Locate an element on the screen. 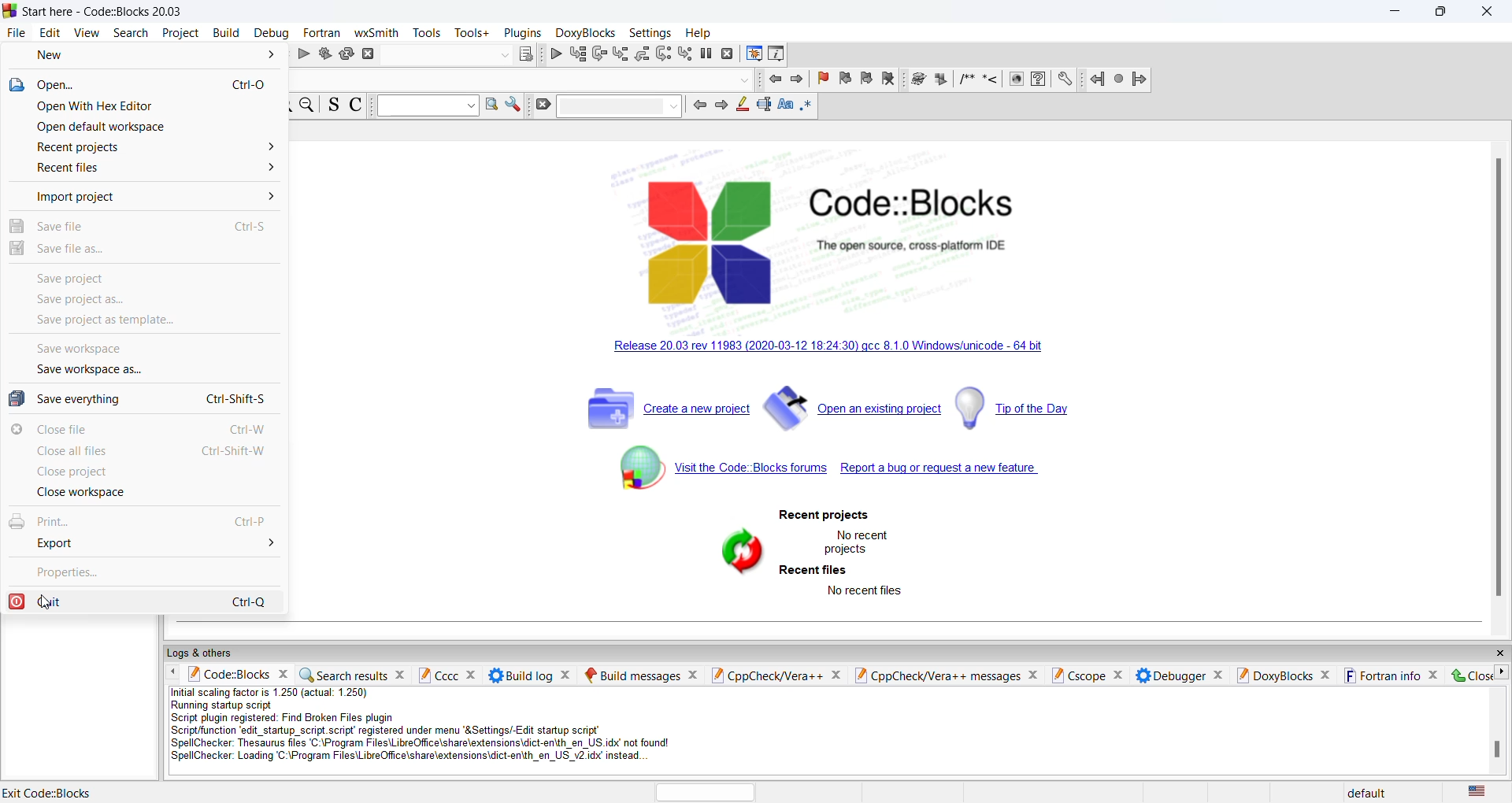 Image resolution: width=1512 pixels, height=803 pixels. save file is located at coordinates (143, 223).